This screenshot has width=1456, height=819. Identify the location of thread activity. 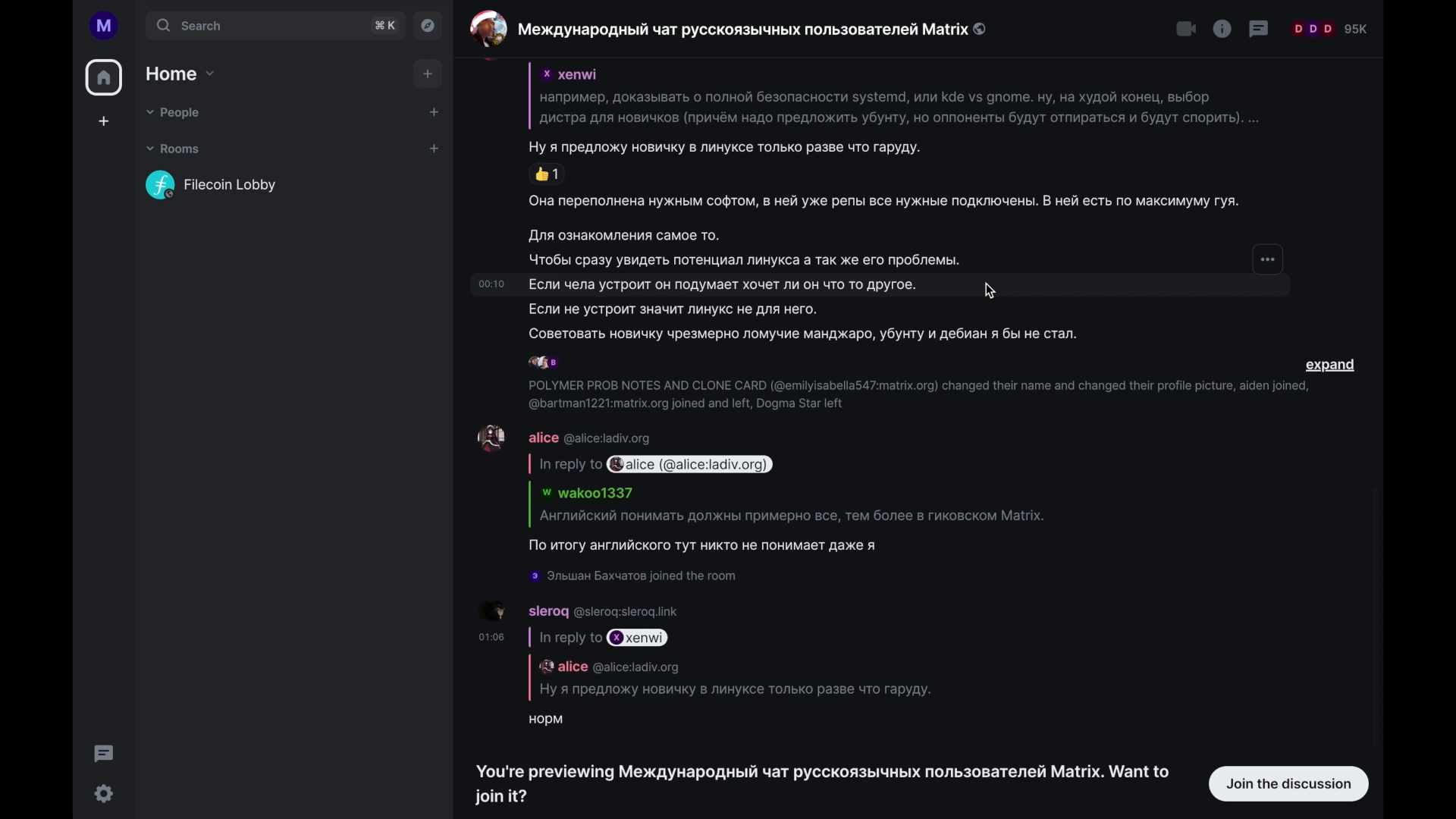
(104, 754).